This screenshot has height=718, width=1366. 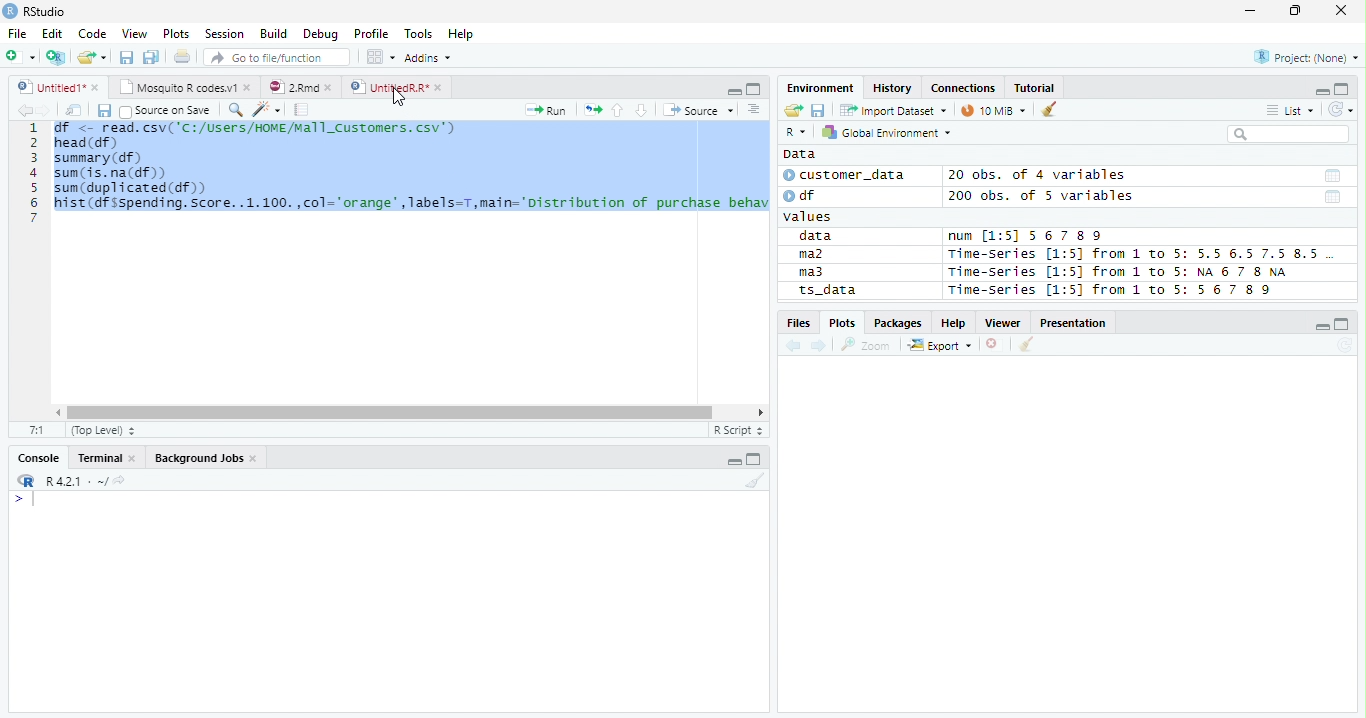 What do you see at coordinates (1027, 344) in the screenshot?
I see `Clean` at bounding box center [1027, 344].